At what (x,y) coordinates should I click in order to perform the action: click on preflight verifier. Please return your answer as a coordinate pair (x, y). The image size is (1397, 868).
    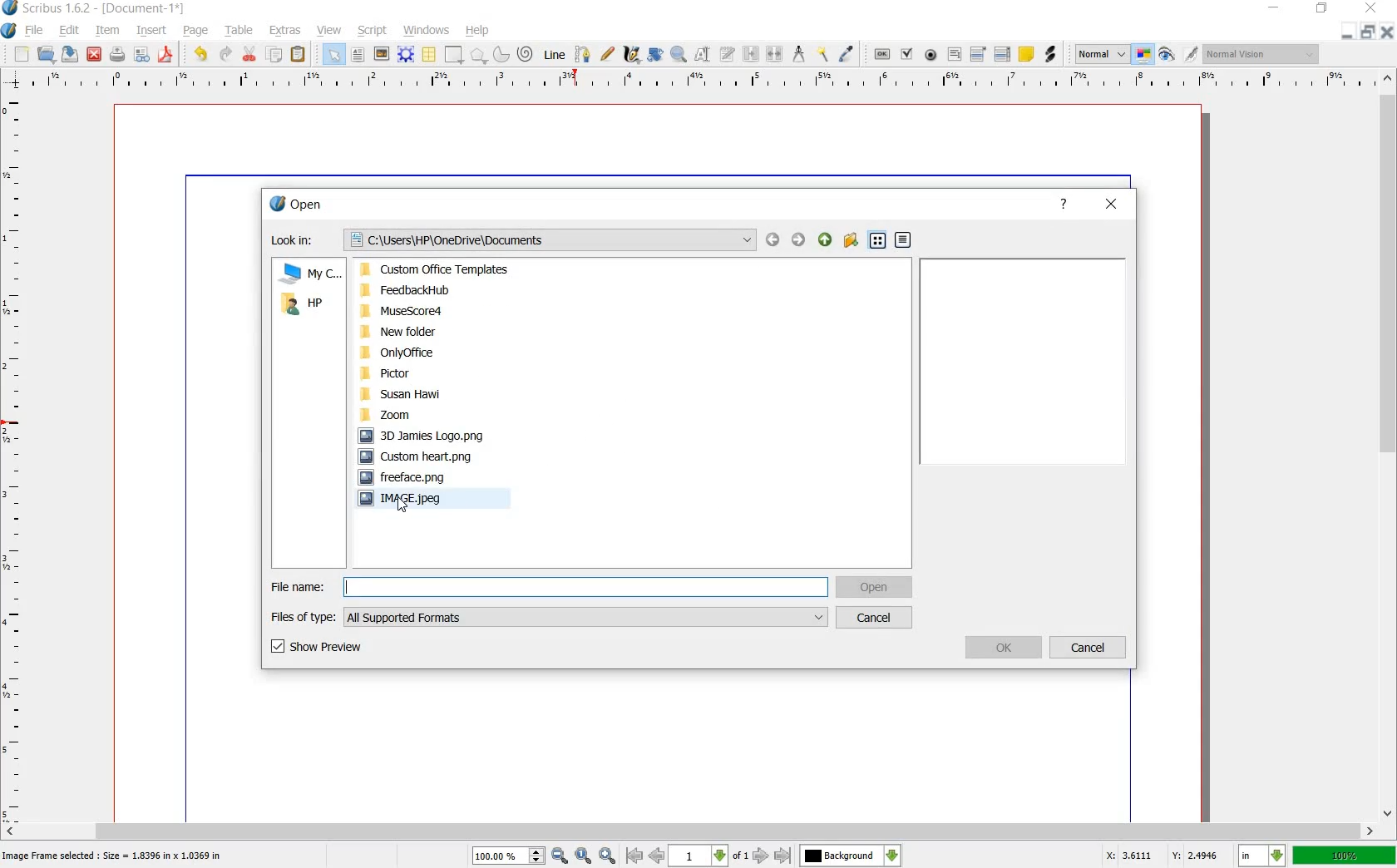
    Looking at the image, I should click on (141, 55).